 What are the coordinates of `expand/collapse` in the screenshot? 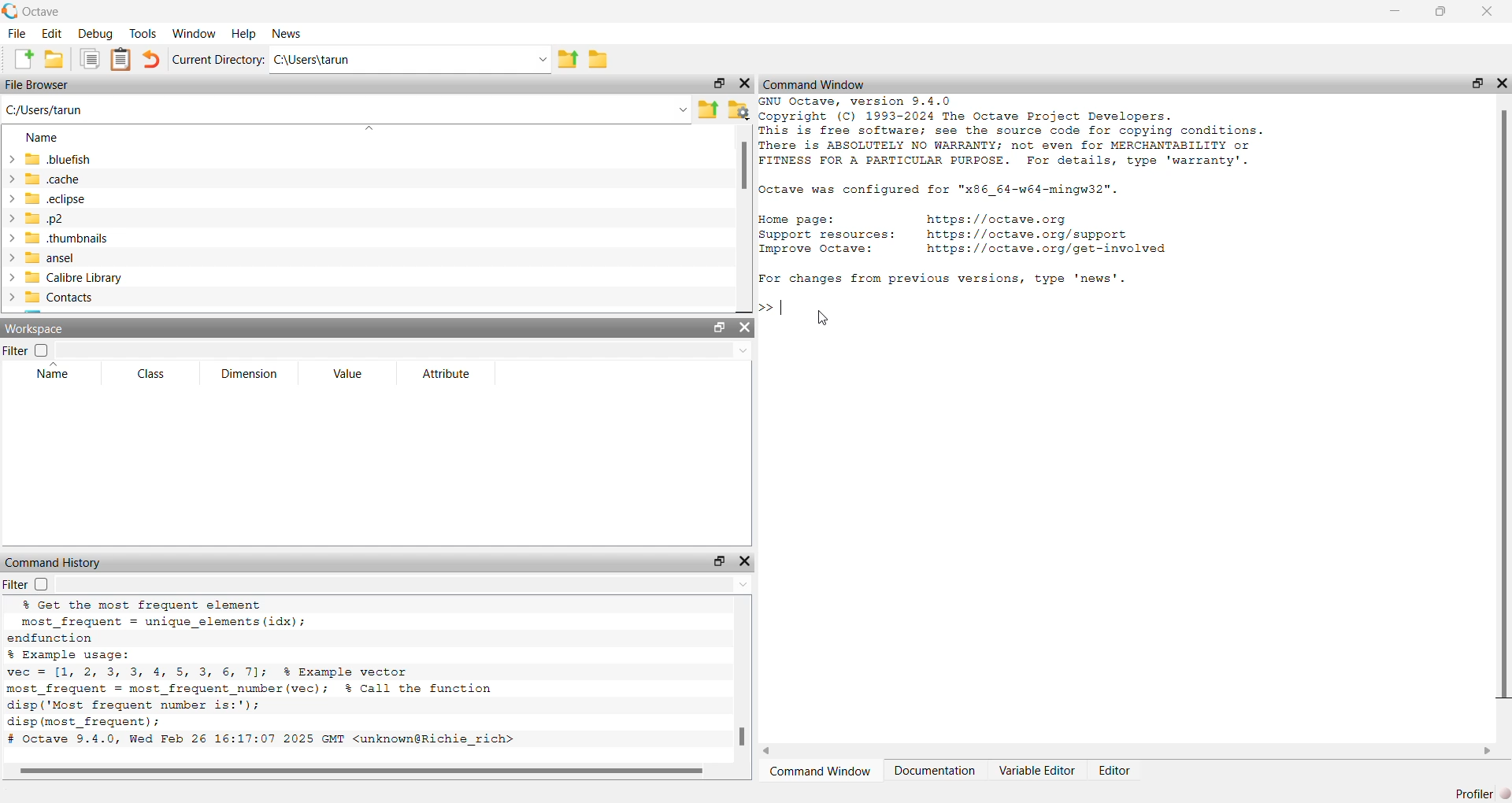 It's located at (10, 238).